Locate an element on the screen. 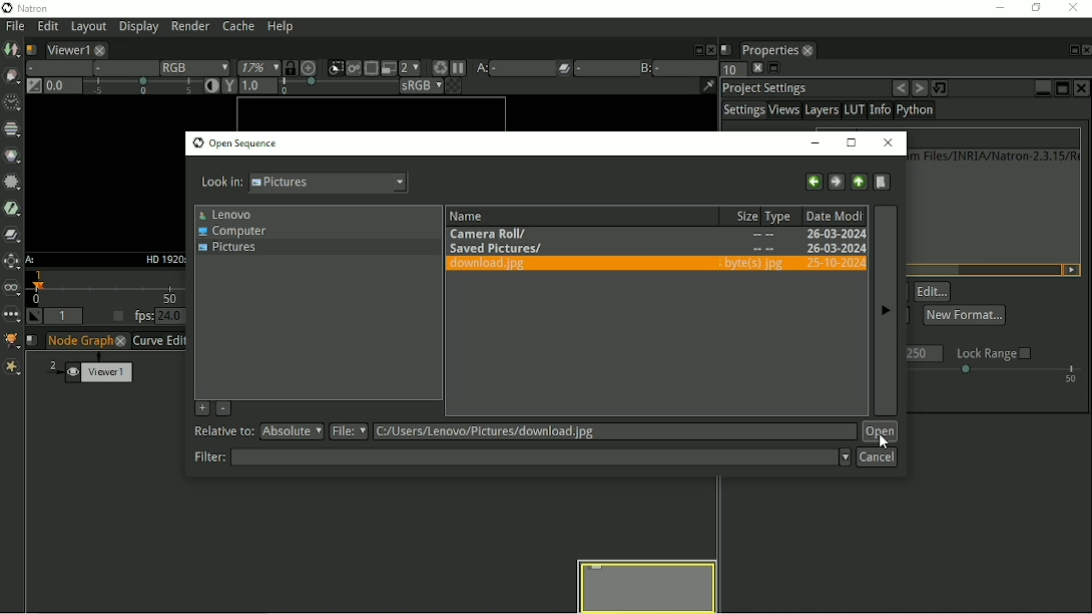 This screenshot has height=614, width=1092. New format is located at coordinates (964, 314).